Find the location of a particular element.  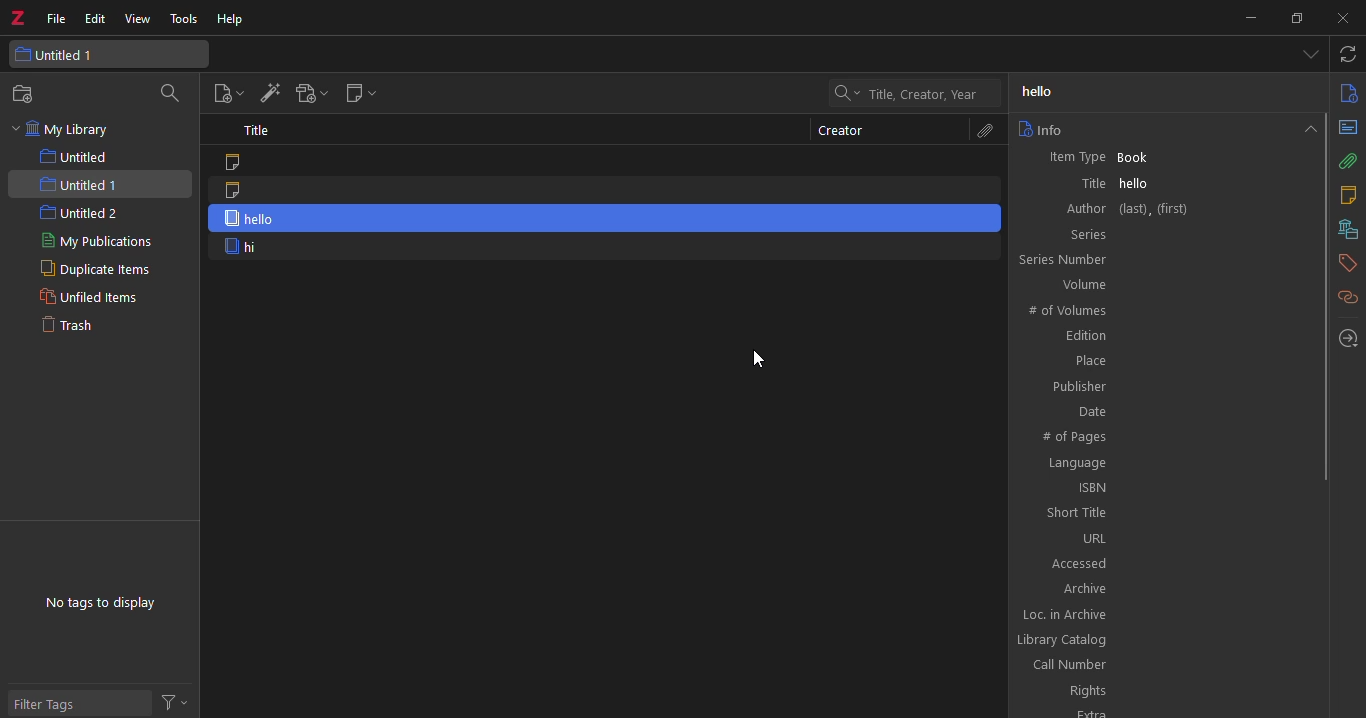

call number is located at coordinates (1160, 665).